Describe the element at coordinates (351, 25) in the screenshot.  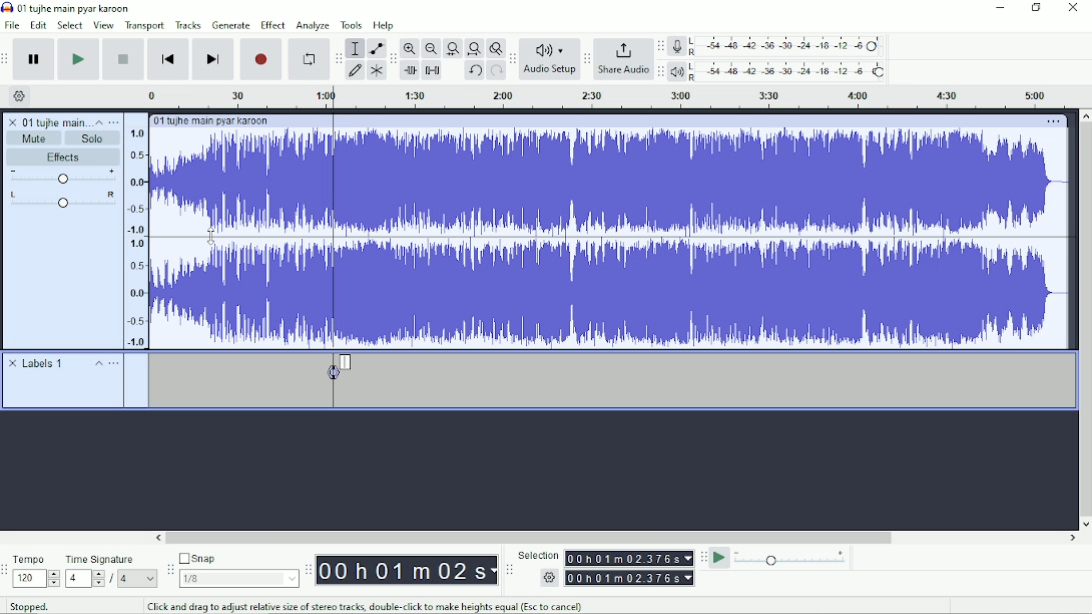
I see `Tools` at that location.